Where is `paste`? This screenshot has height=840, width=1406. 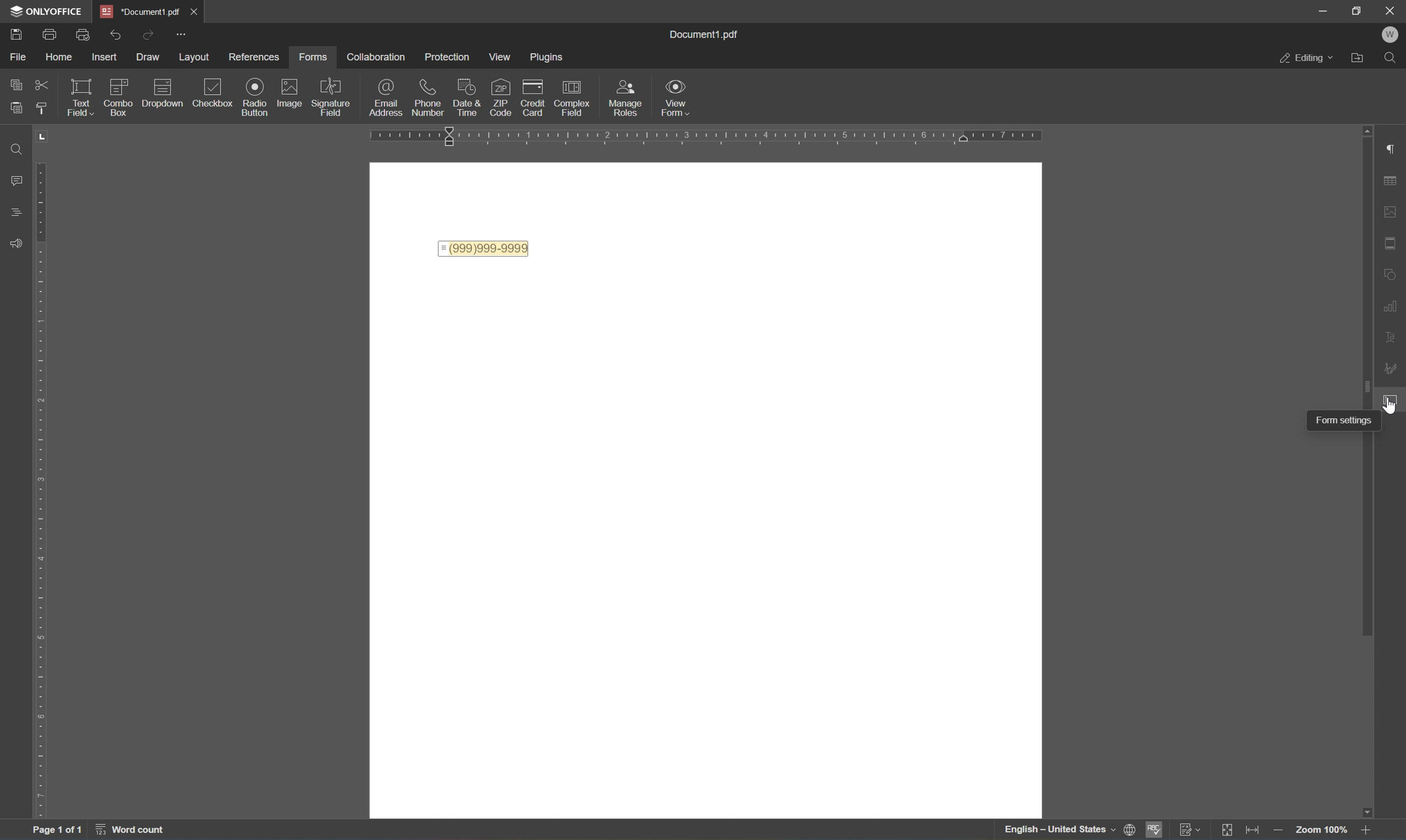 paste is located at coordinates (17, 109).